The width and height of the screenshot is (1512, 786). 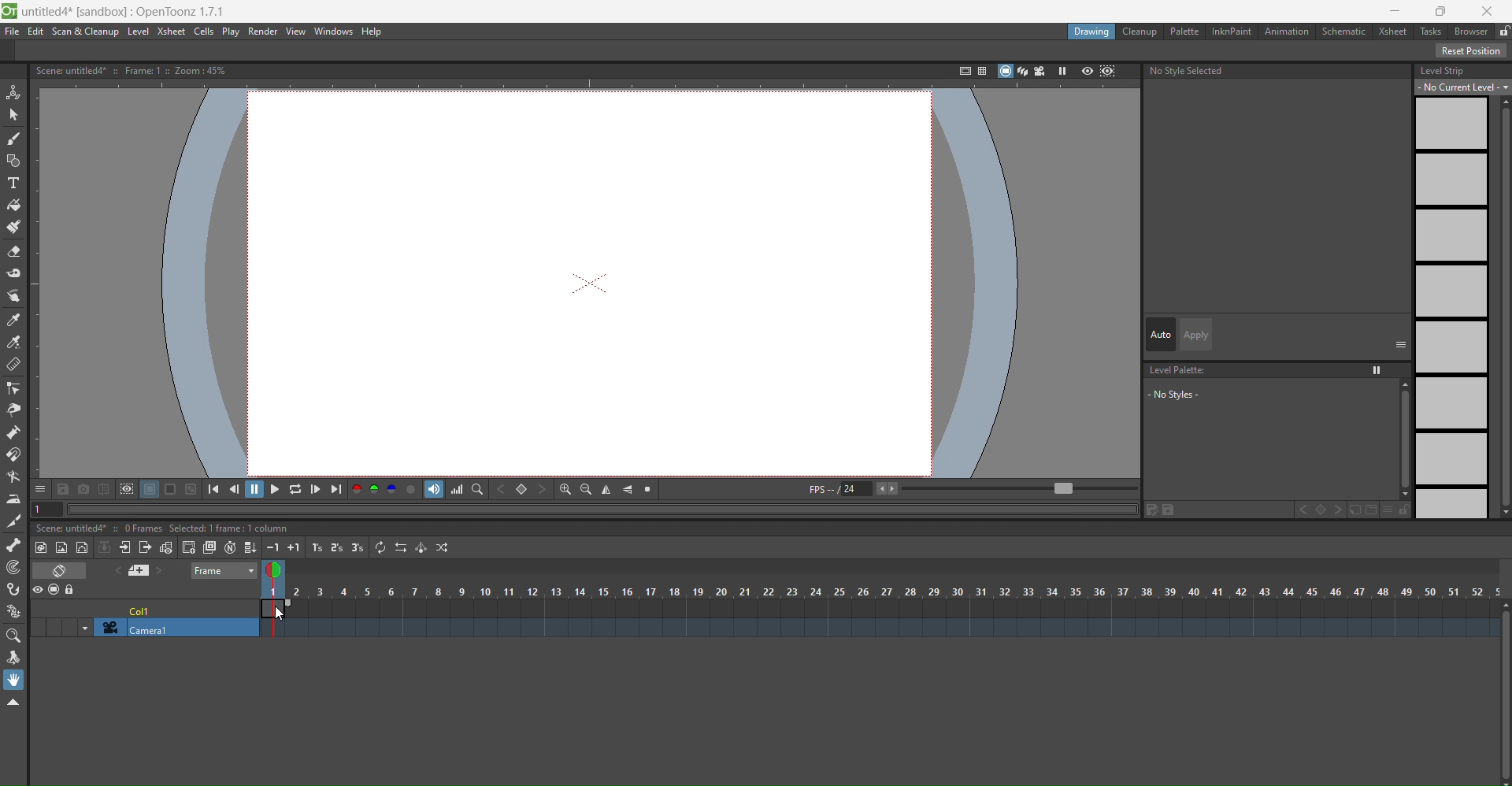 I want to click on histogram , so click(x=457, y=489).